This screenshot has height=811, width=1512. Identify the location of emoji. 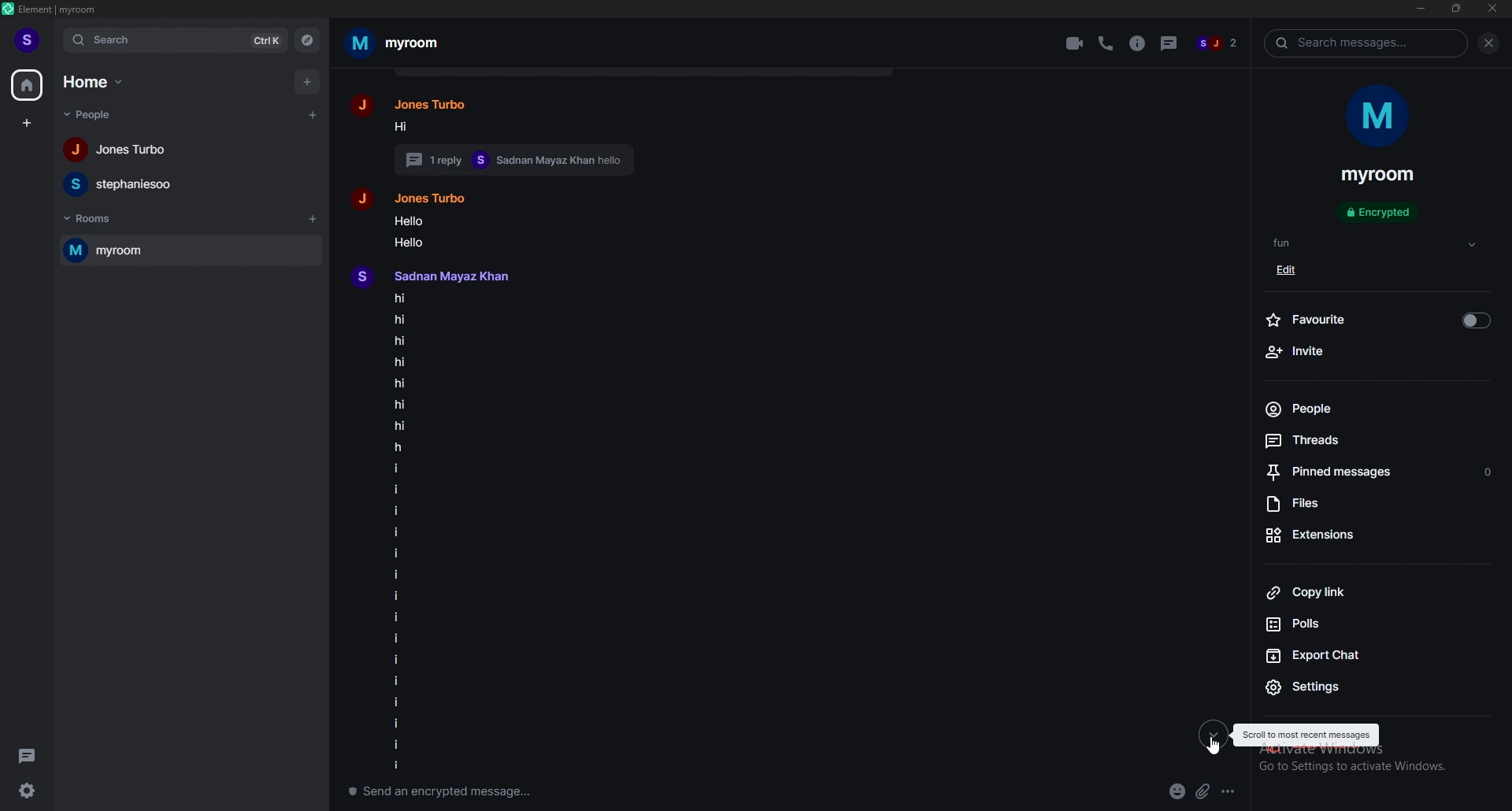
(1177, 791).